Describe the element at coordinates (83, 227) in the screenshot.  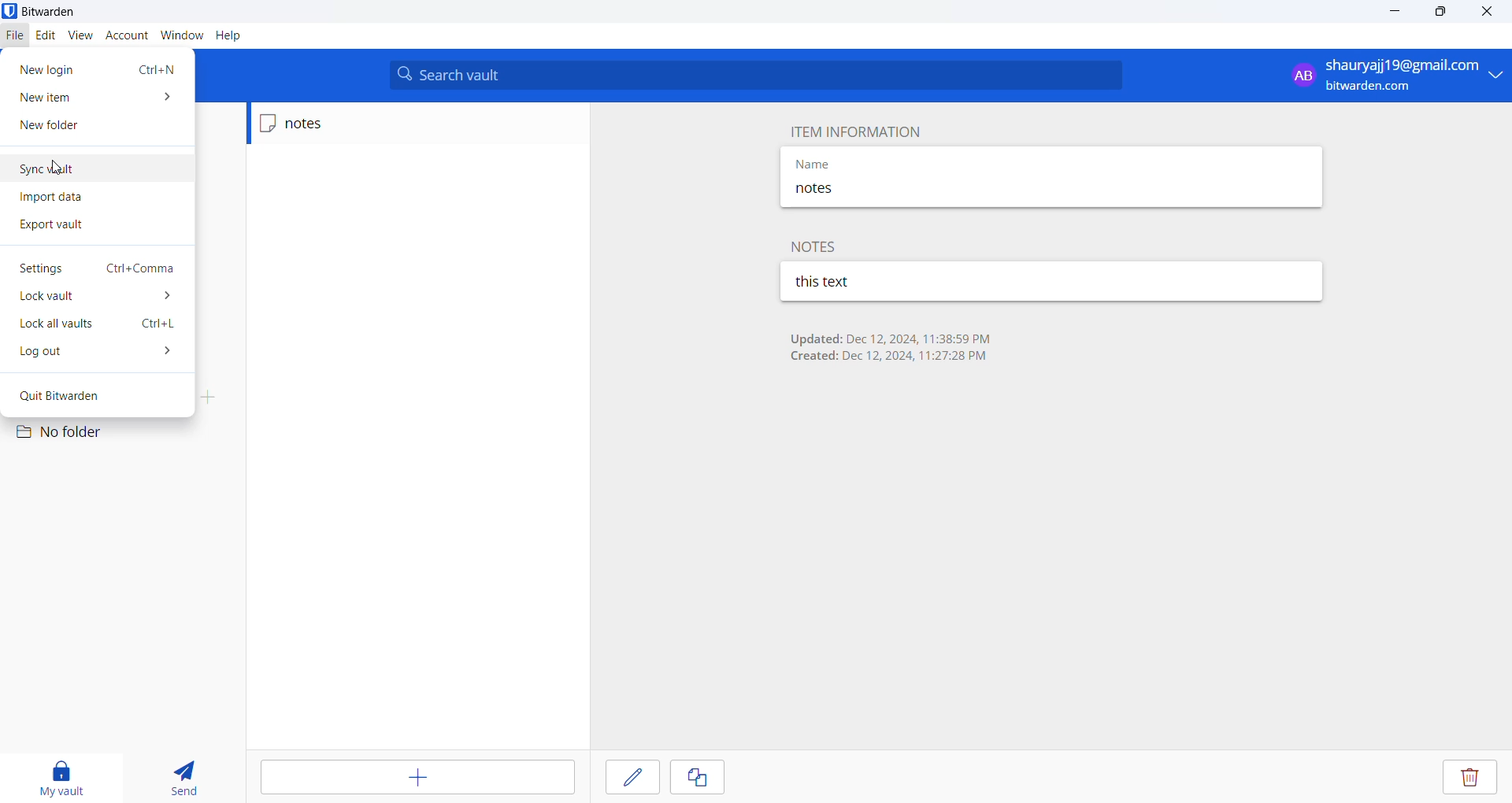
I see `export vault` at that location.